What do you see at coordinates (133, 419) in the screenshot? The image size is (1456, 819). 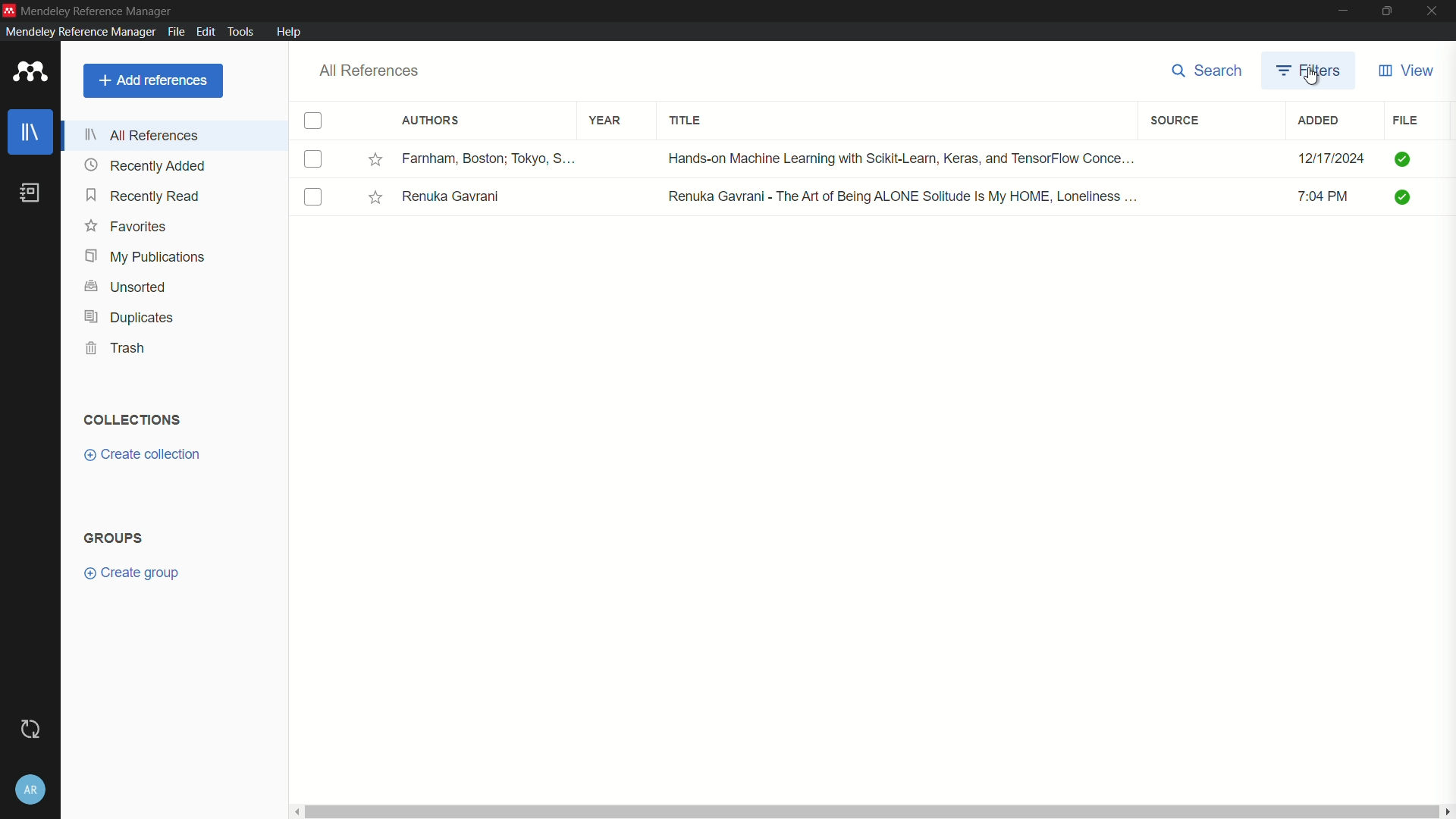 I see `collections` at bounding box center [133, 419].